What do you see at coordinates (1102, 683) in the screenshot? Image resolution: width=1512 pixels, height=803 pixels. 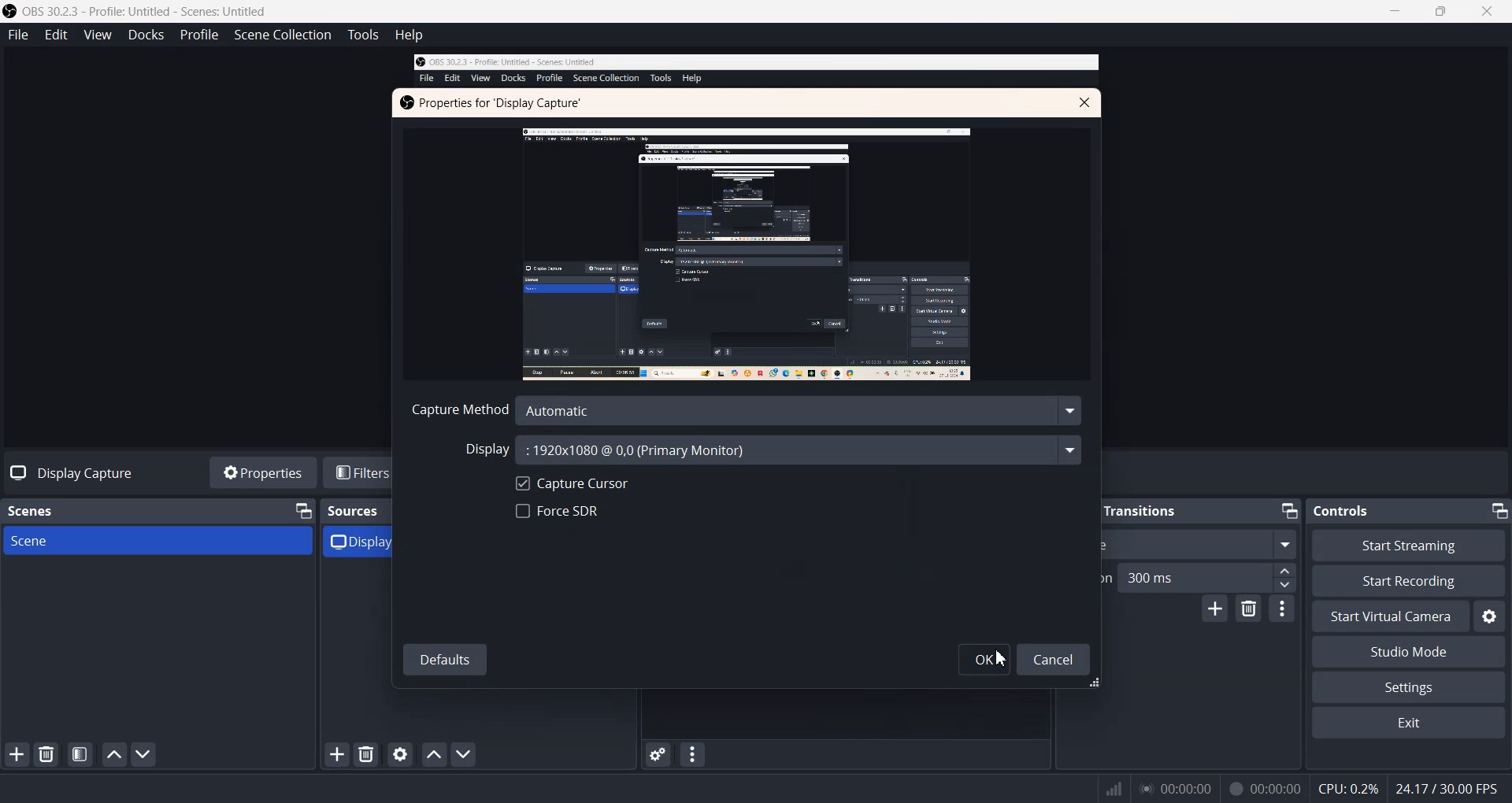 I see `Window Adjuster` at bounding box center [1102, 683].